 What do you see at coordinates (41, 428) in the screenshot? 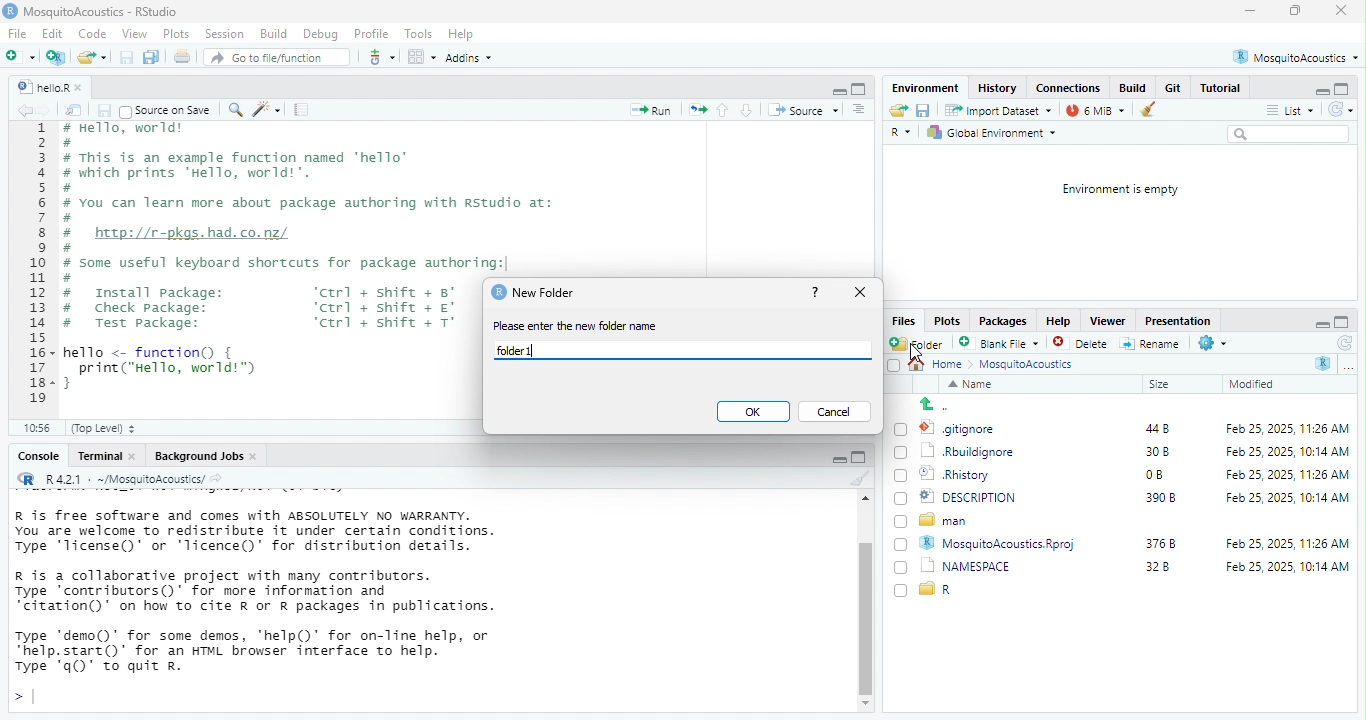
I see `10:56` at bounding box center [41, 428].